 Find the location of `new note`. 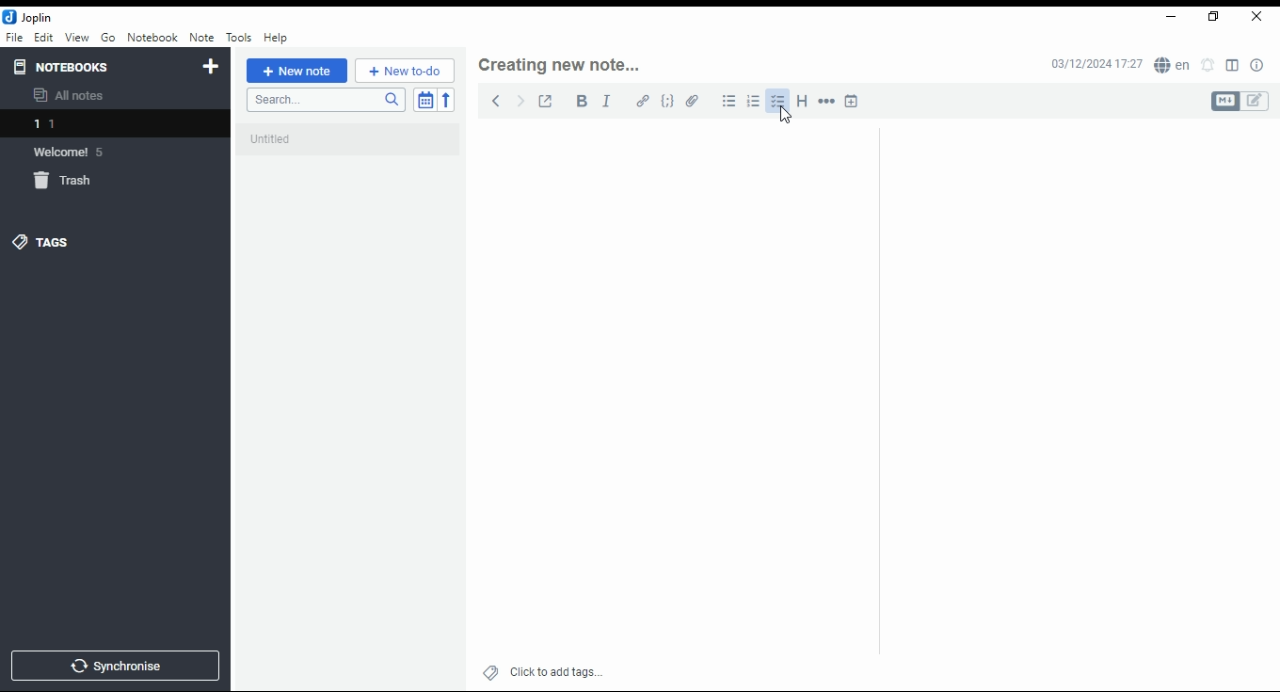

new note is located at coordinates (297, 71).